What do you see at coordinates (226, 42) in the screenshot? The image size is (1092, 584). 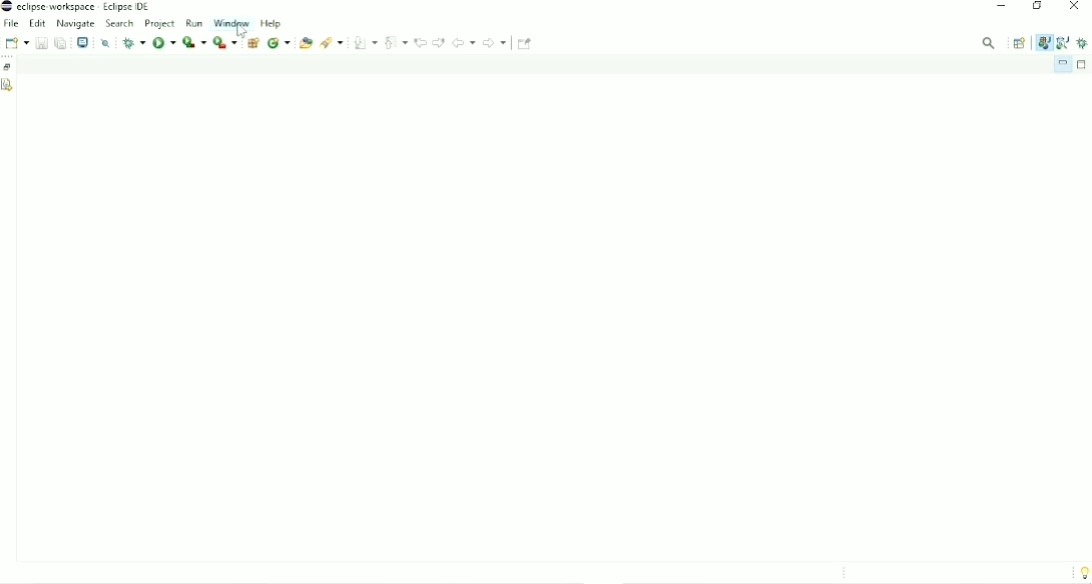 I see `Run last tool` at bounding box center [226, 42].